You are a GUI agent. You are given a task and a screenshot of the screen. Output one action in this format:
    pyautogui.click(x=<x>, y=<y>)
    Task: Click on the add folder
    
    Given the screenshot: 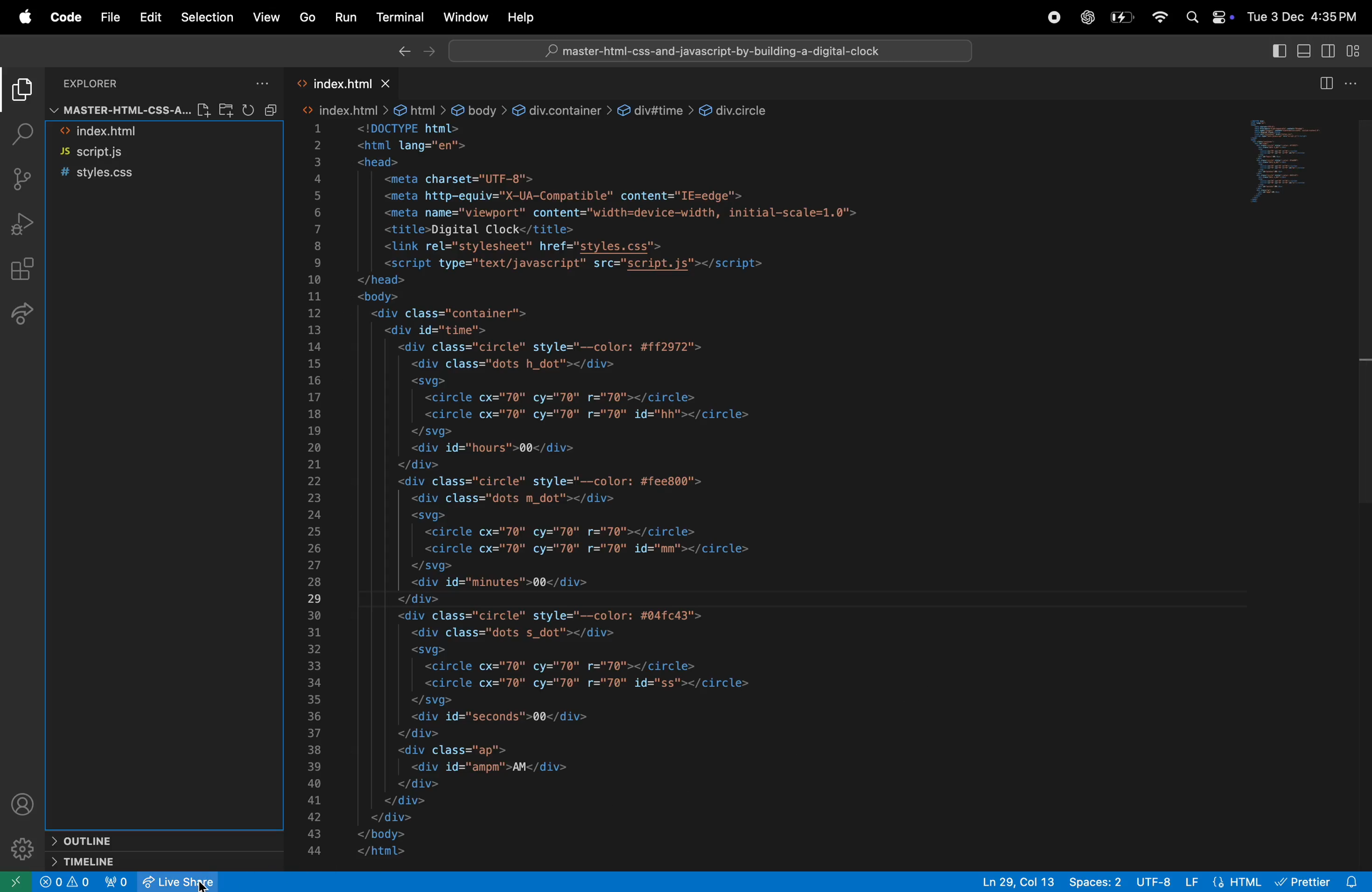 What is the action you would take?
    pyautogui.click(x=225, y=110)
    